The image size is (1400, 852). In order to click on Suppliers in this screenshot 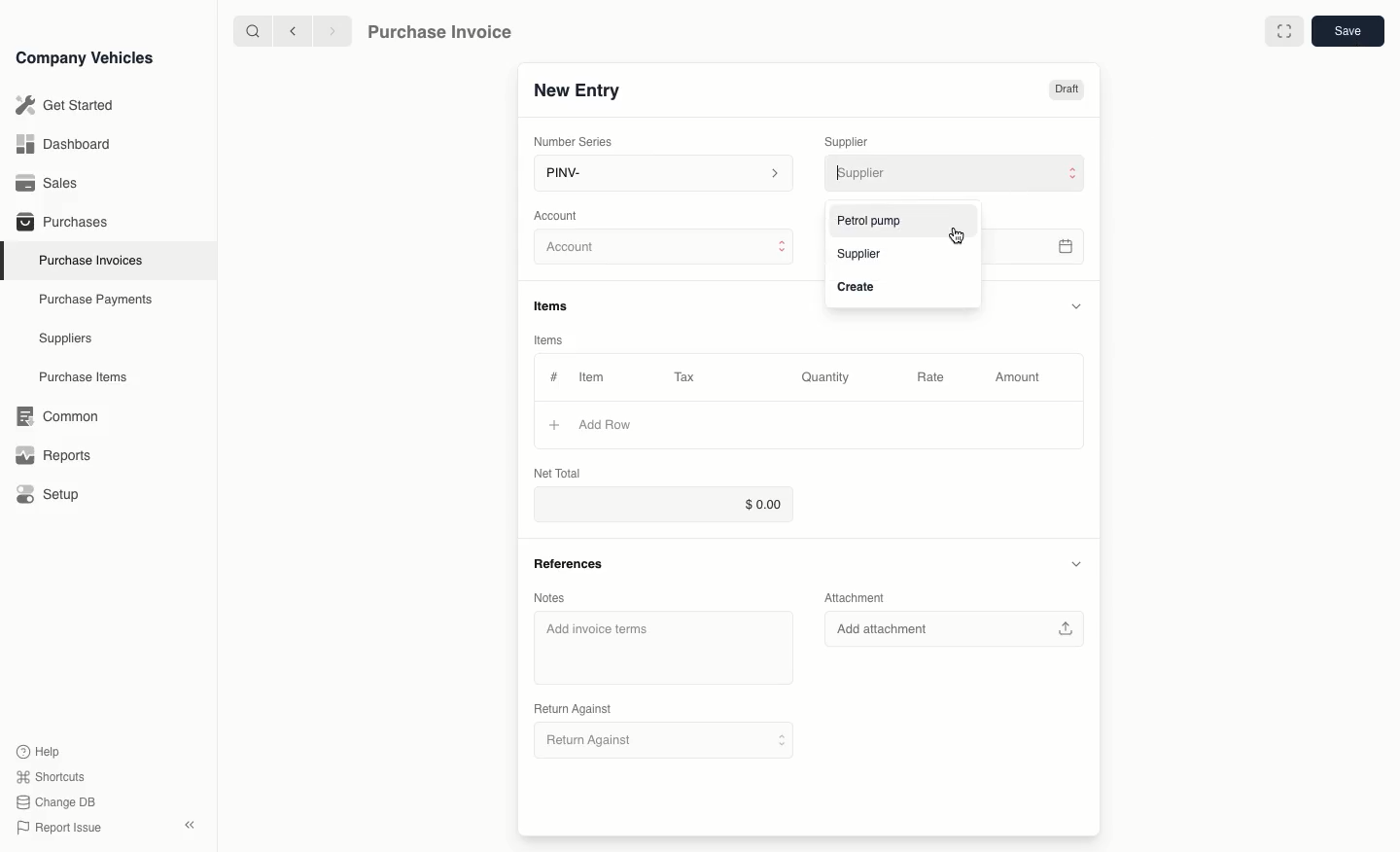, I will do `click(64, 339)`.